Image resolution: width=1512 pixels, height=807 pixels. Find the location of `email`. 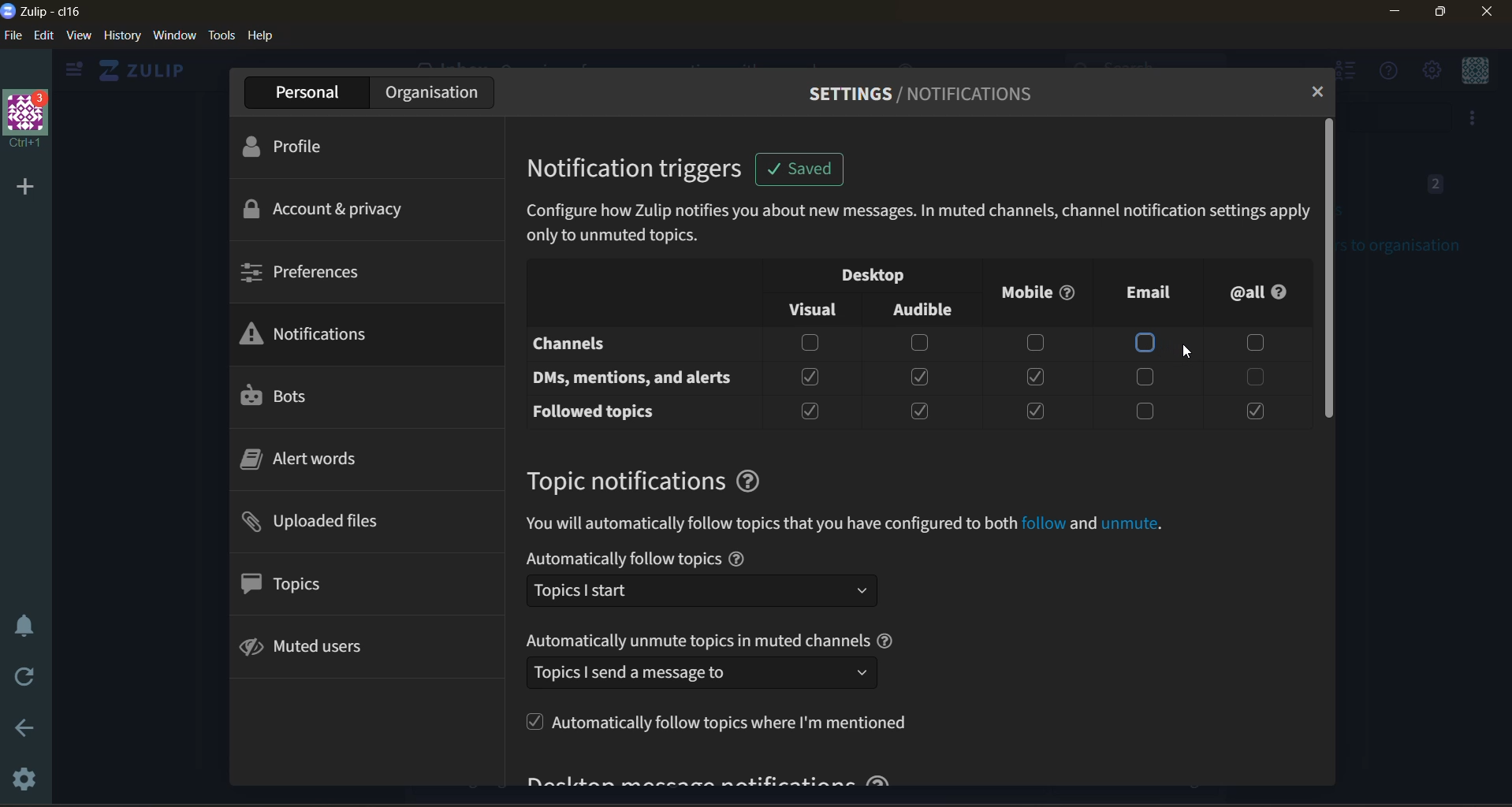

email is located at coordinates (1138, 294).